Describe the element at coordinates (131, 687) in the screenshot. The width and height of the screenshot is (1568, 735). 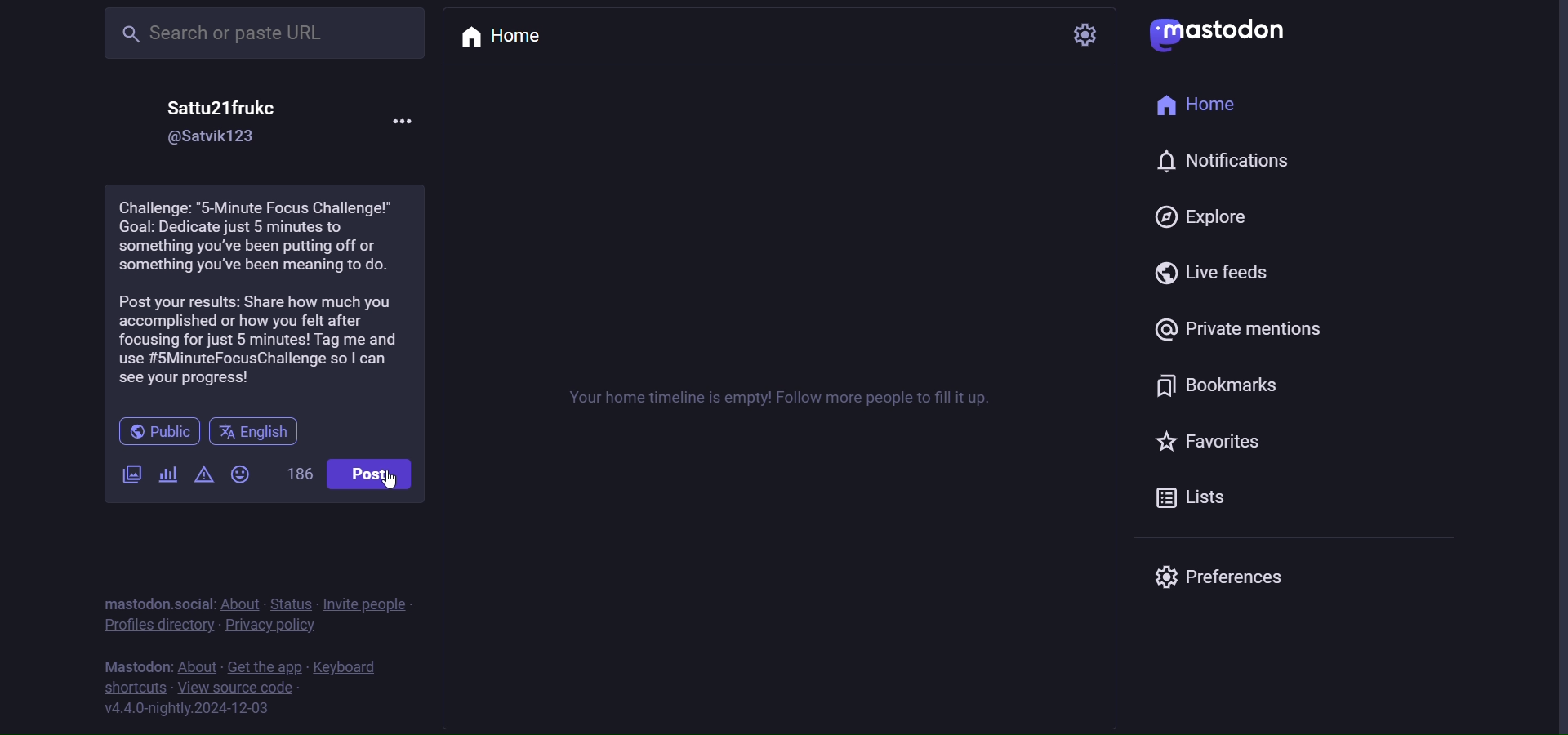
I see `shortcut` at that location.